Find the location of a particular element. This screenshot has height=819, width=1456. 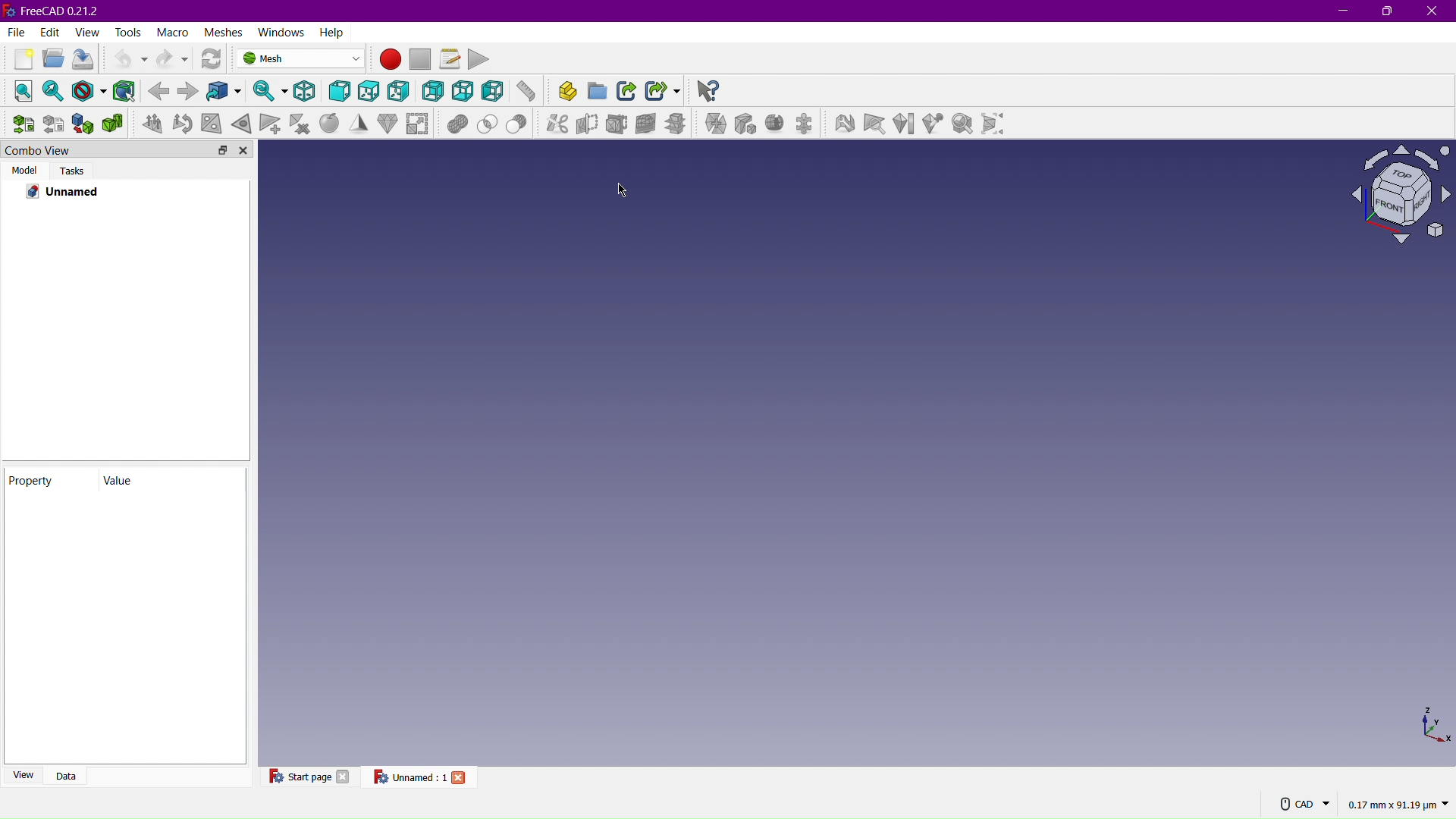

Fit all is located at coordinates (22, 90).